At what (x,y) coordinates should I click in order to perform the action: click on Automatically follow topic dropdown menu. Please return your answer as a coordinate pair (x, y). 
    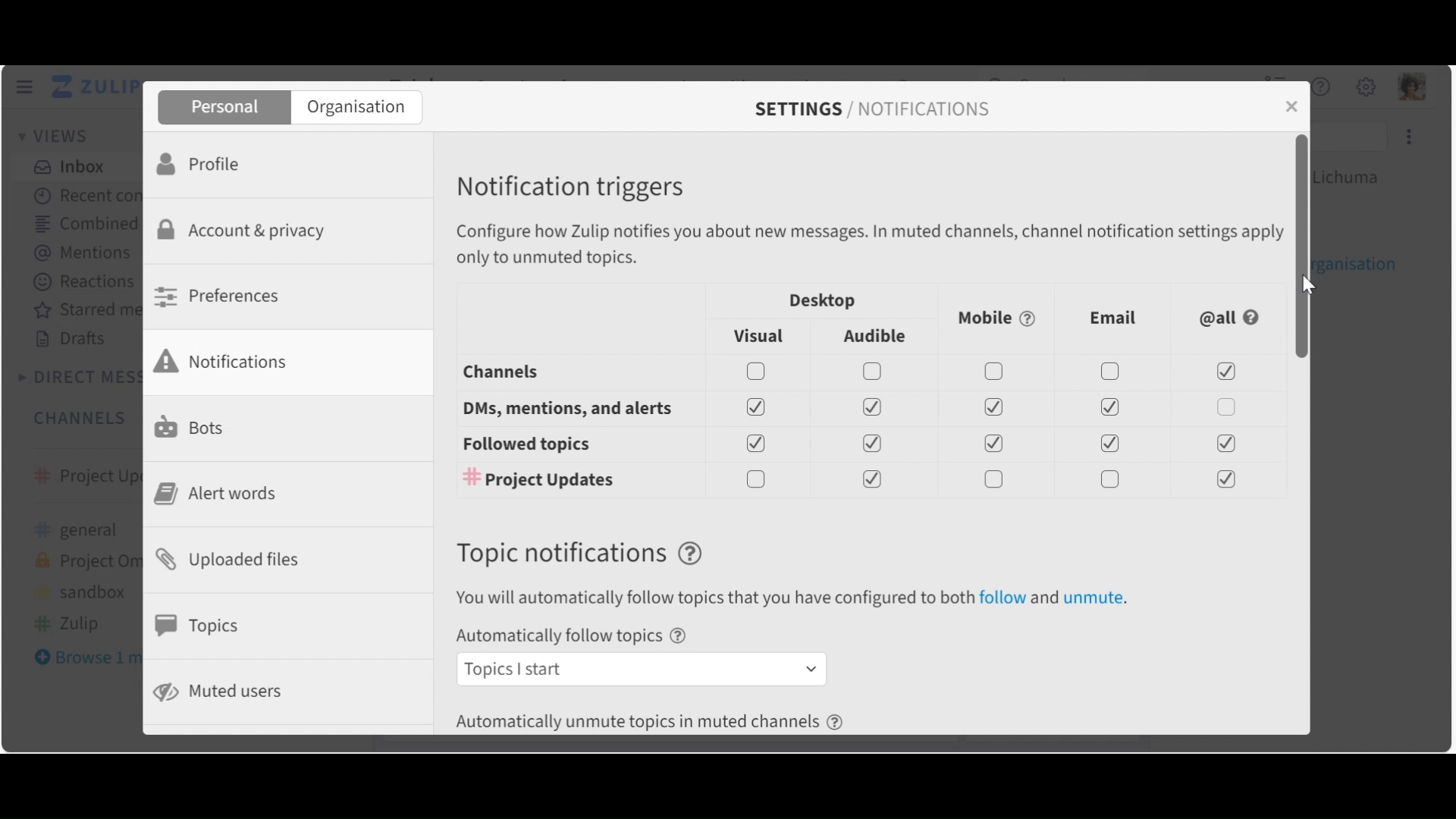
    Looking at the image, I should click on (640, 669).